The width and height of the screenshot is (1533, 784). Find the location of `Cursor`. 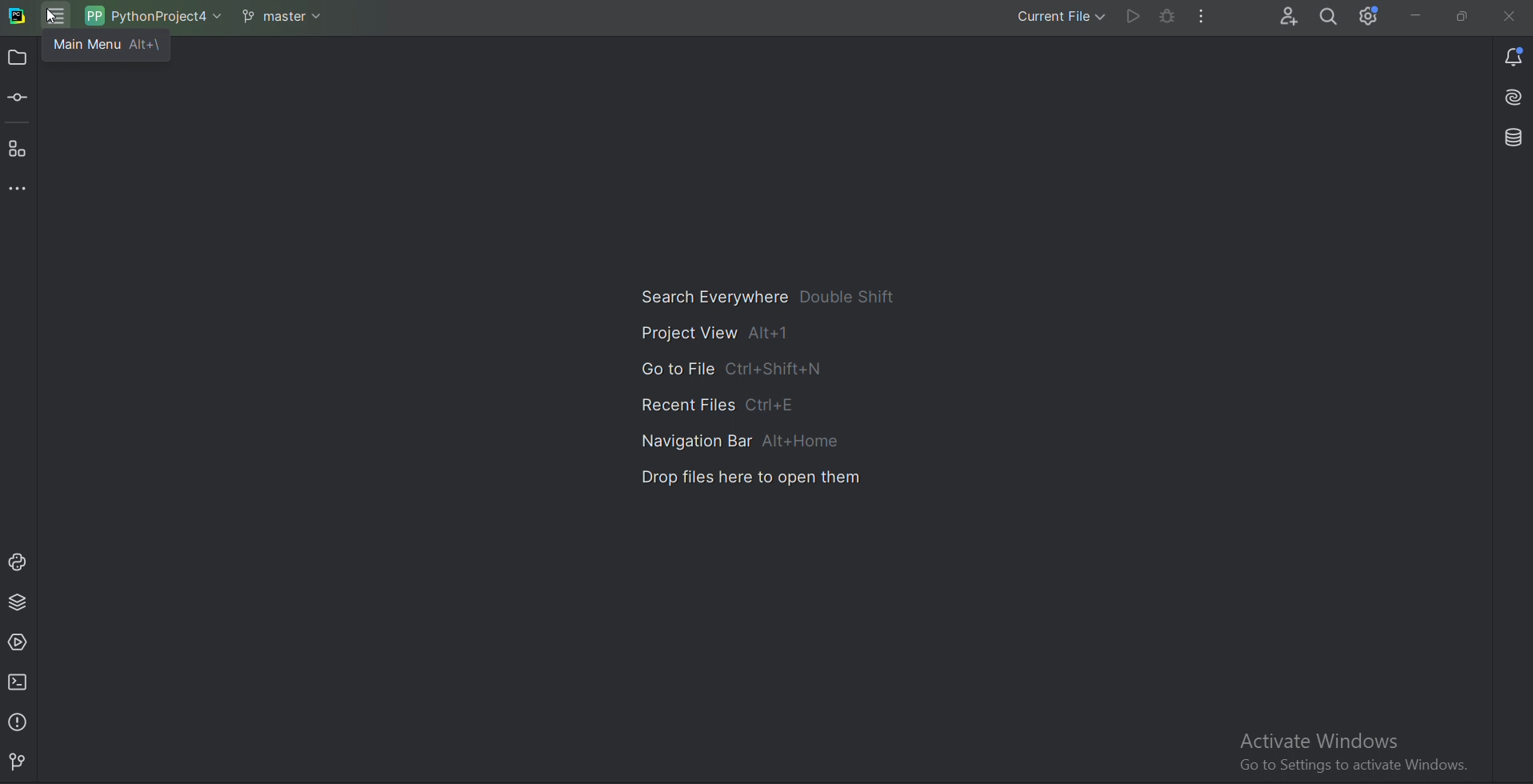

Cursor is located at coordinates (51, 17).